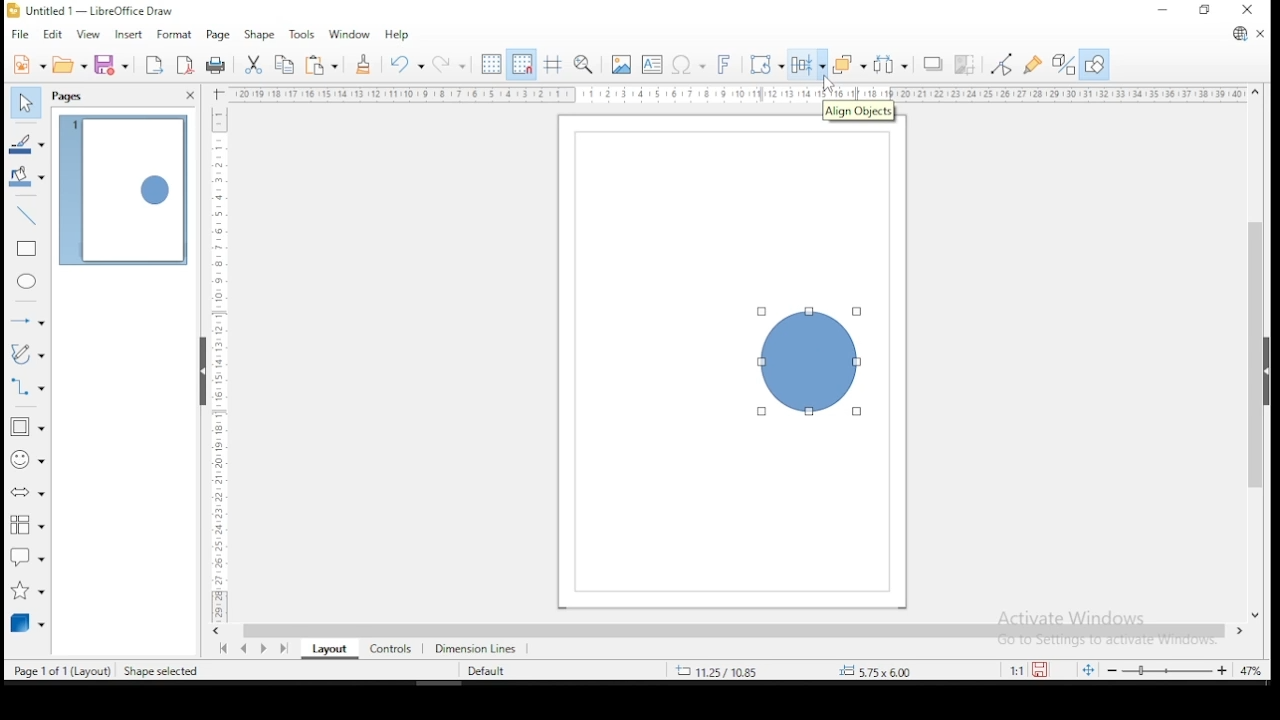 The height and width of the screenshot is (720, 1280). Describe the element at coordinates (806, 65) in the screenshot. I see `align objects` at that location.